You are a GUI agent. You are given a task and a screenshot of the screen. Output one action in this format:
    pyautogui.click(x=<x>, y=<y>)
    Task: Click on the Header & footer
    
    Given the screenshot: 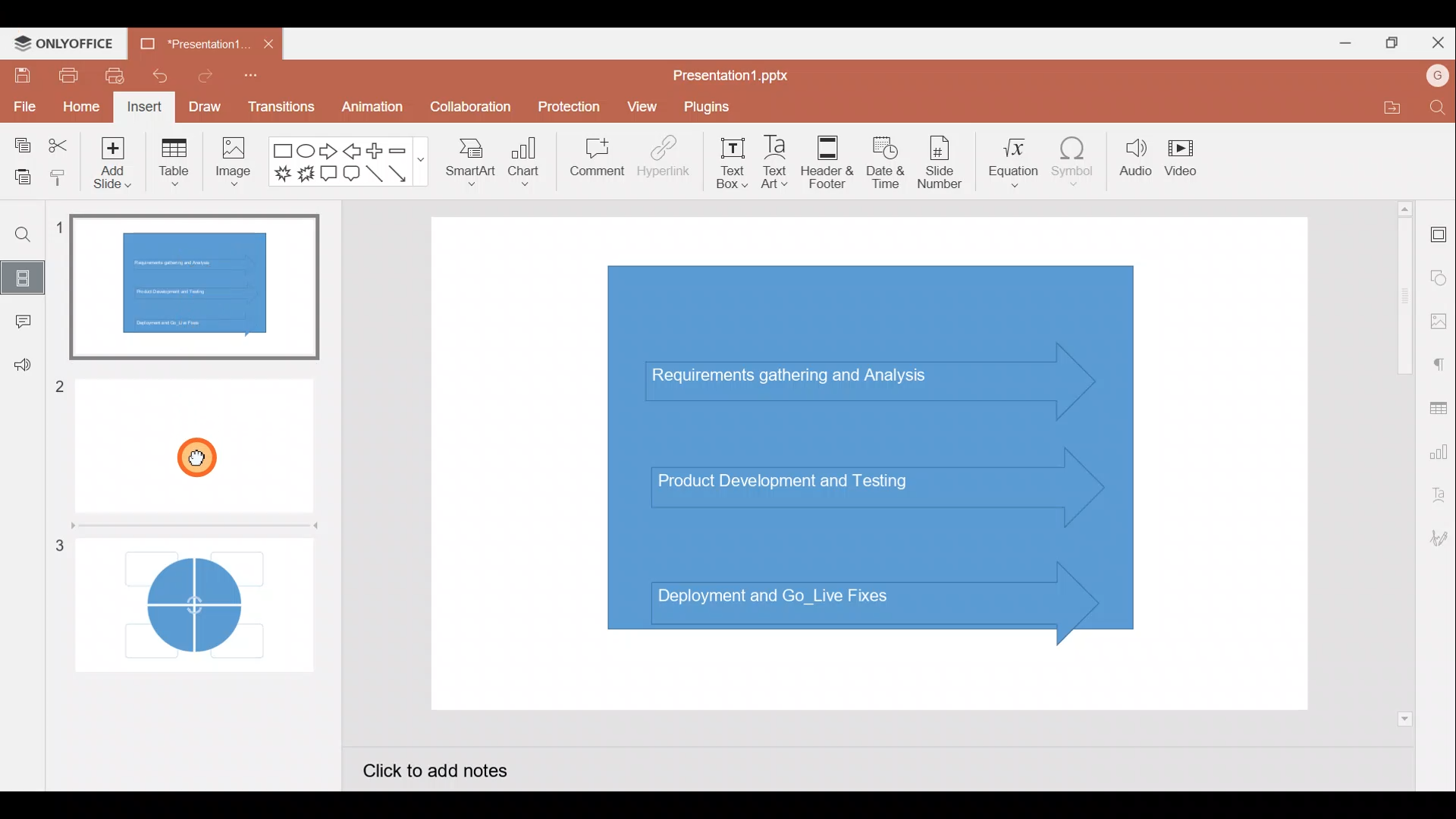 What is the action you would take?
    pyautogui.click(x=831, y=162)
    